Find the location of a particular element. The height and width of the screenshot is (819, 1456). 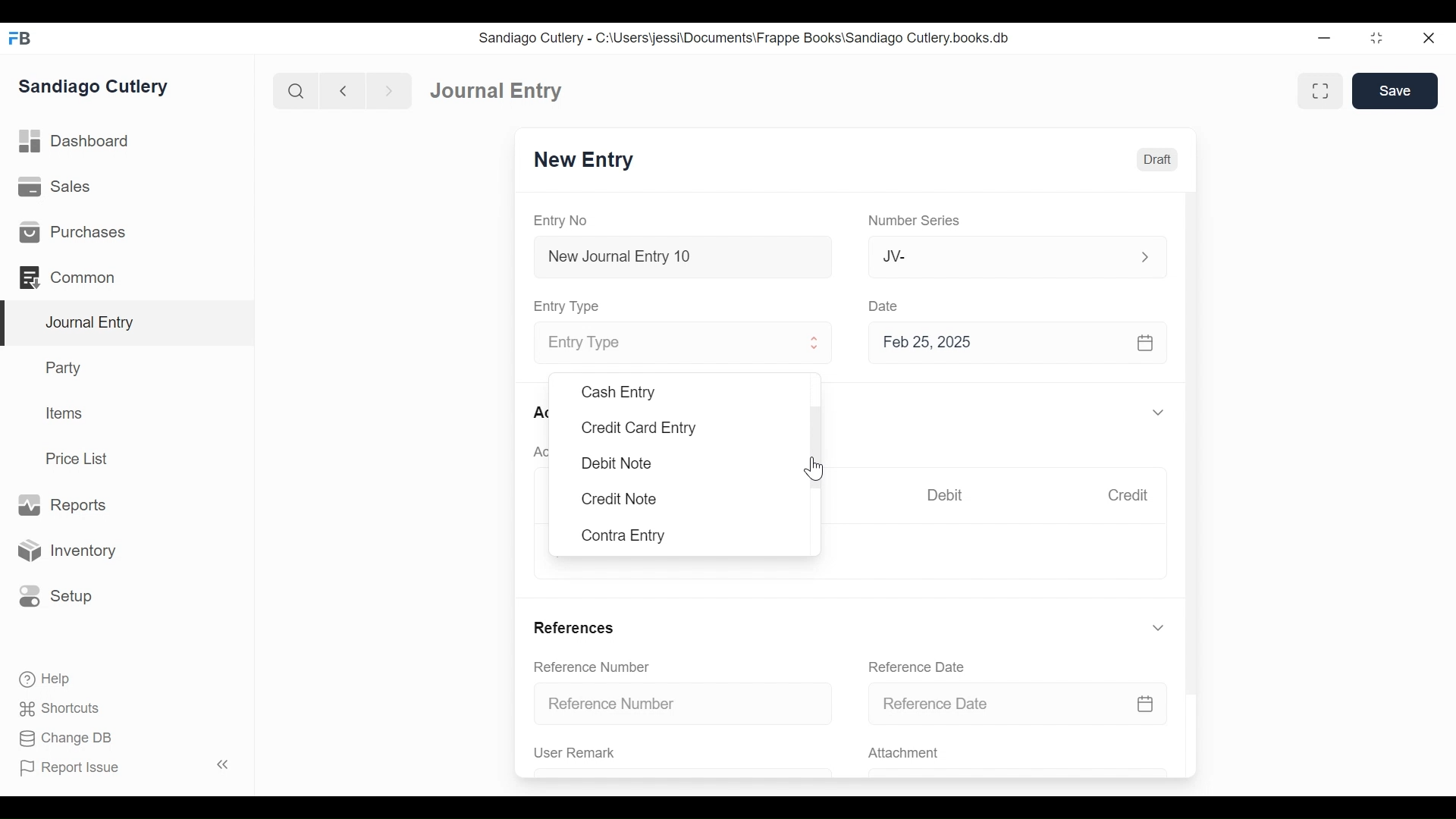

Journal Entry is located at coordinates (494, 92).